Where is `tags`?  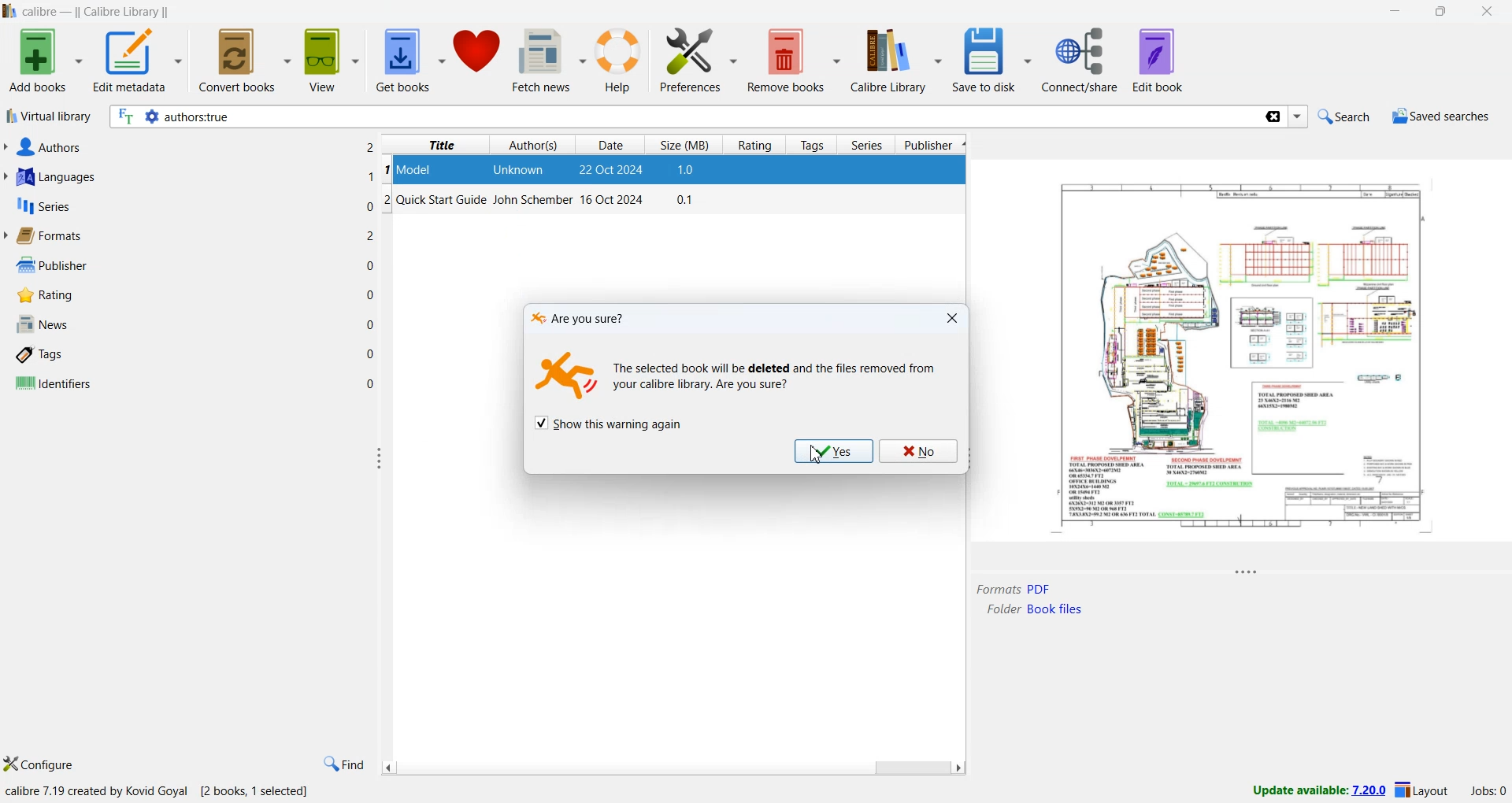 tags is located at coordinates (42, 356).